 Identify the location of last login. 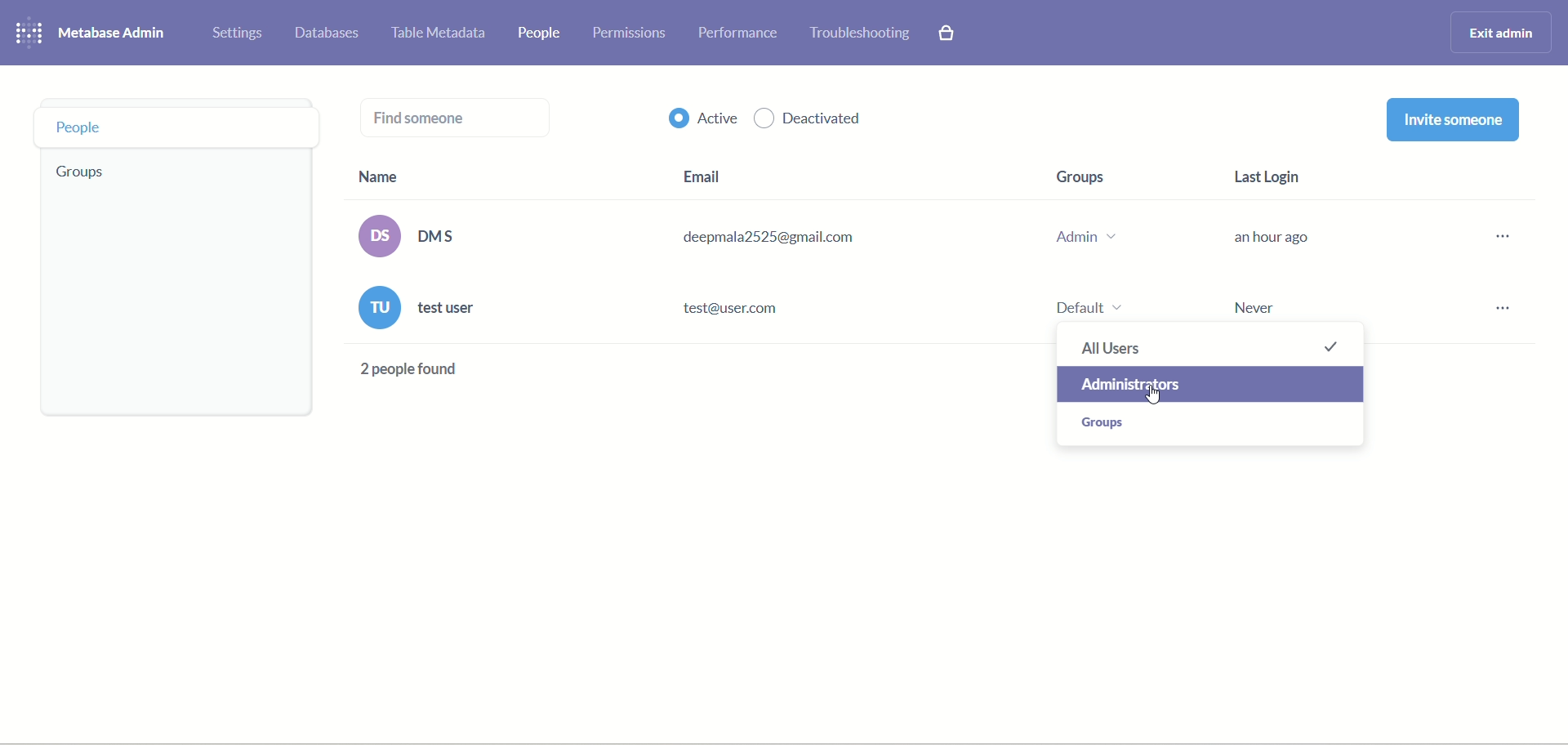
(1267, 240).